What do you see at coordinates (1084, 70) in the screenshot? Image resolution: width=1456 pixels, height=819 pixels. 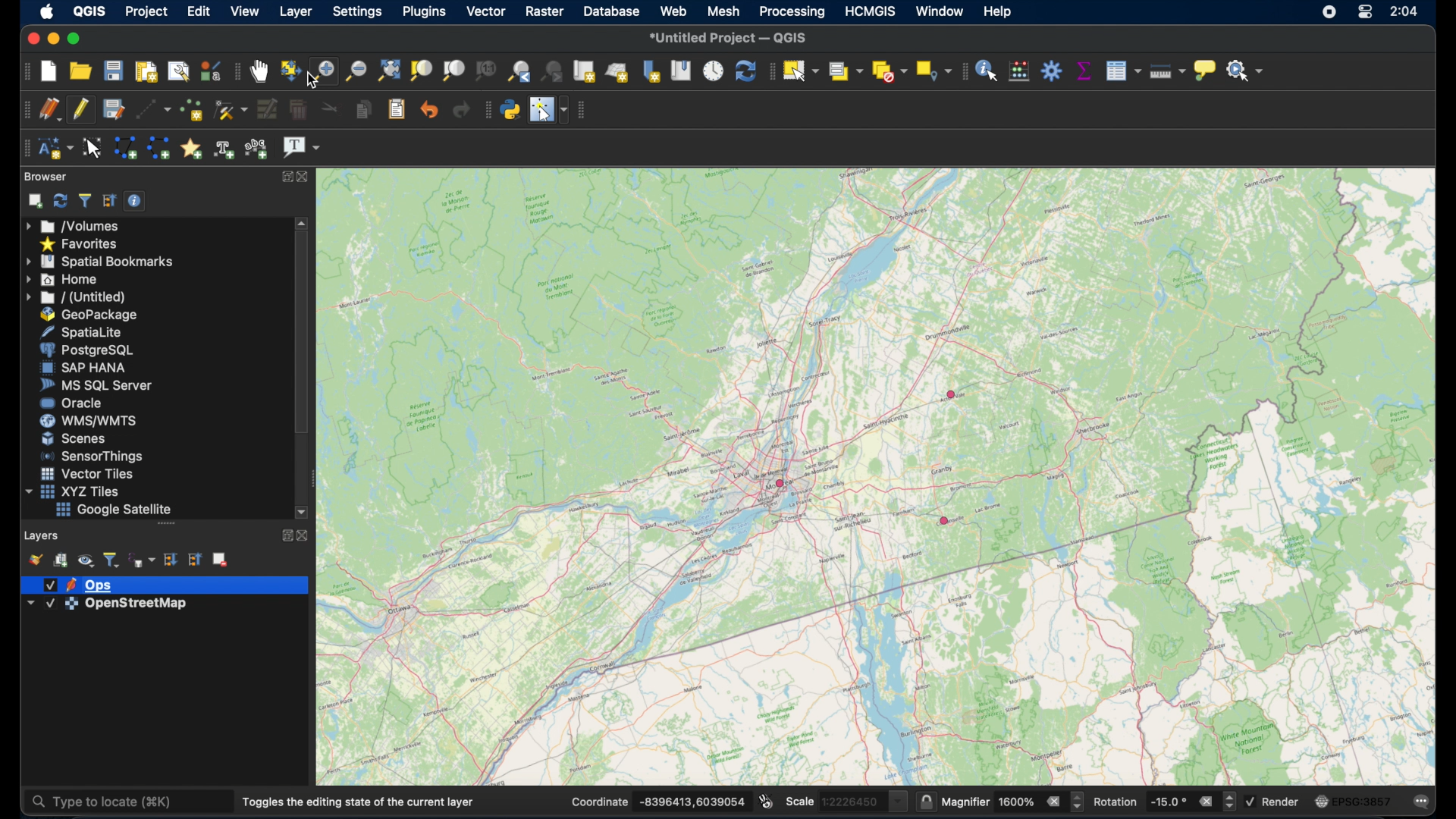 I see `show statistical summary` at bounding box center [1084, 70].